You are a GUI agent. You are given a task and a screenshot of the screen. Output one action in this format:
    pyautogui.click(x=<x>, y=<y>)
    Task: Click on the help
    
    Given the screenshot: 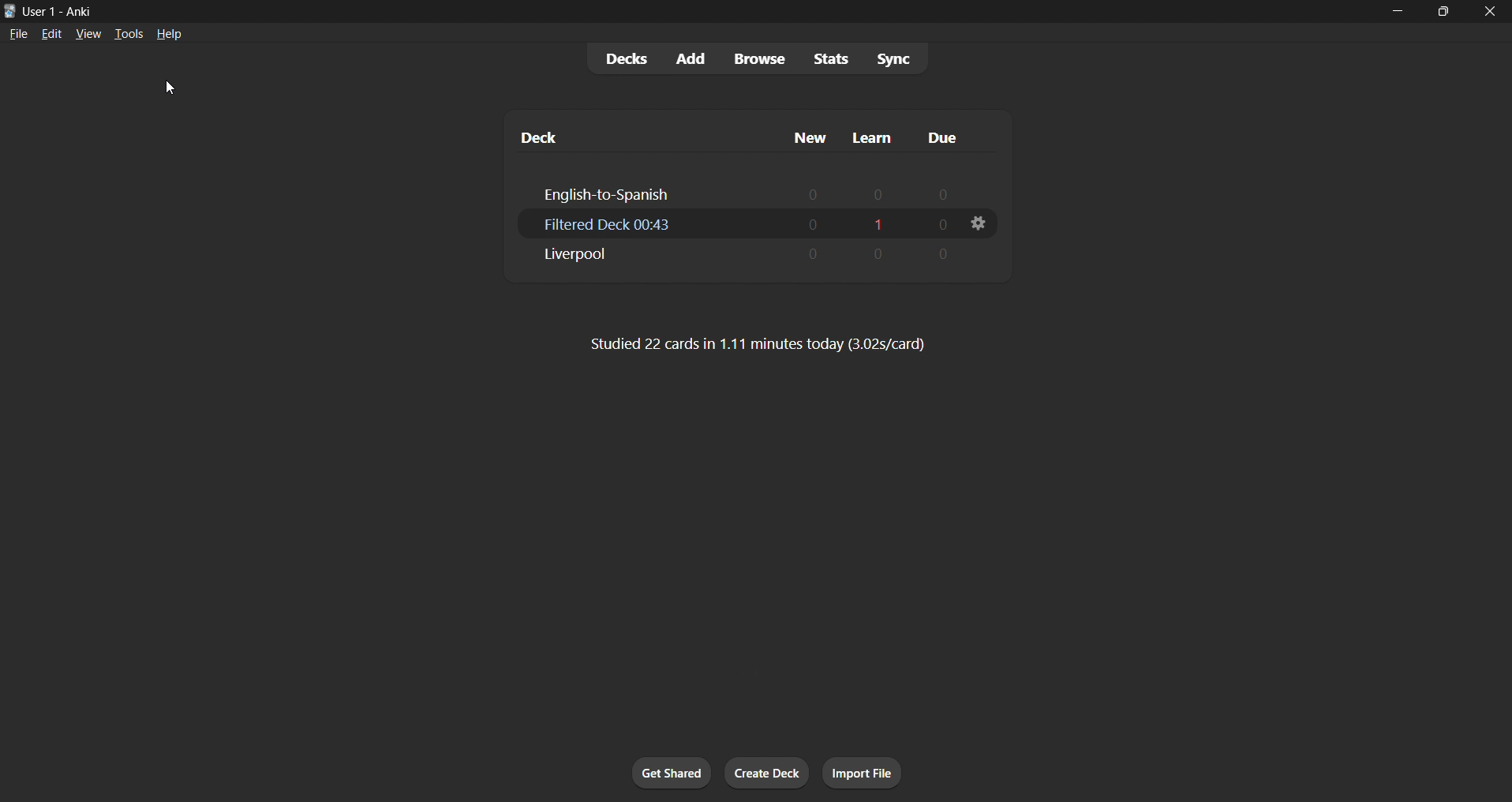 What is the action you would take?
    pyautogui.click(x=174, y=36)
    